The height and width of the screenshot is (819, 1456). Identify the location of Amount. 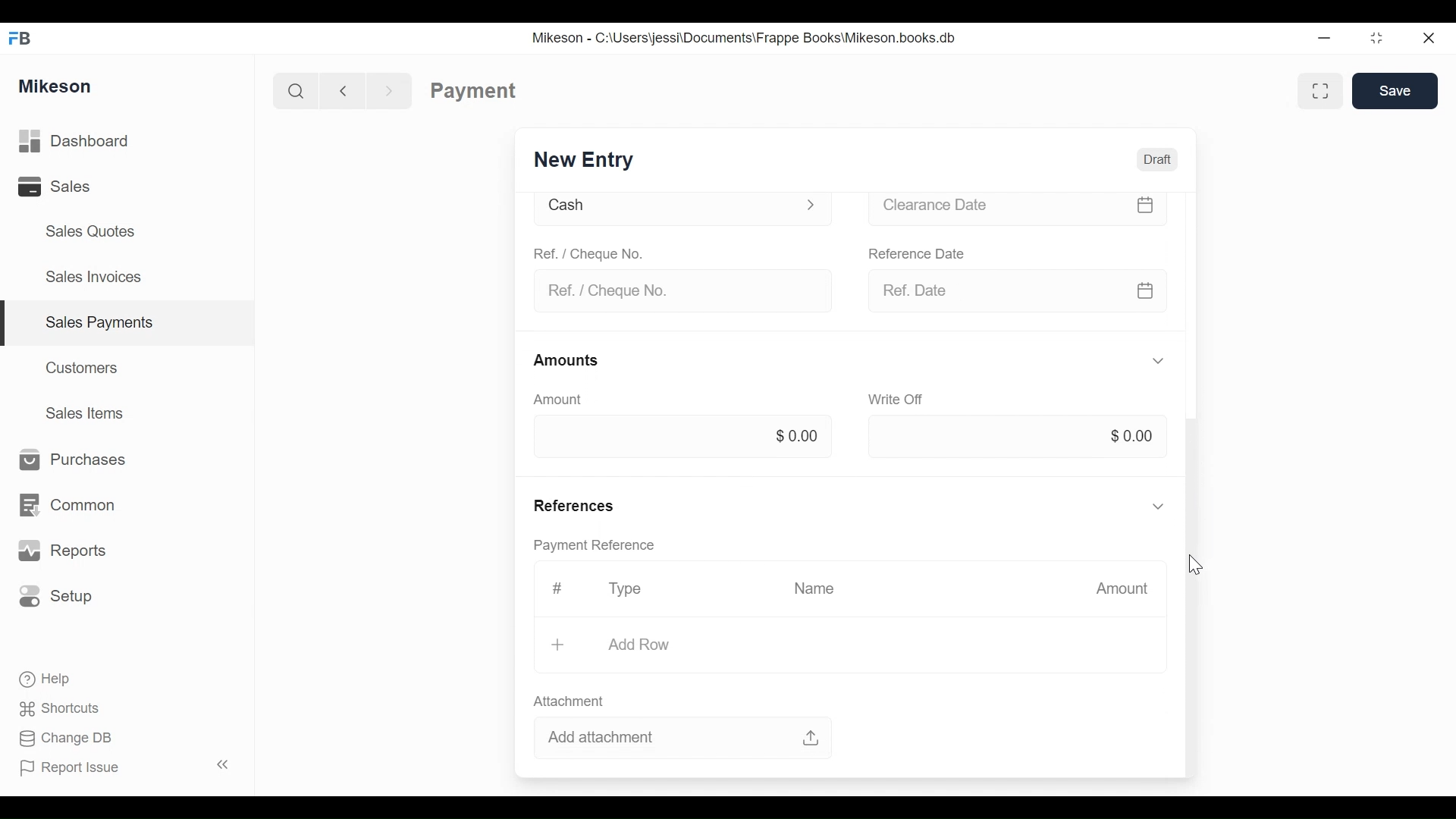
(555, 400).